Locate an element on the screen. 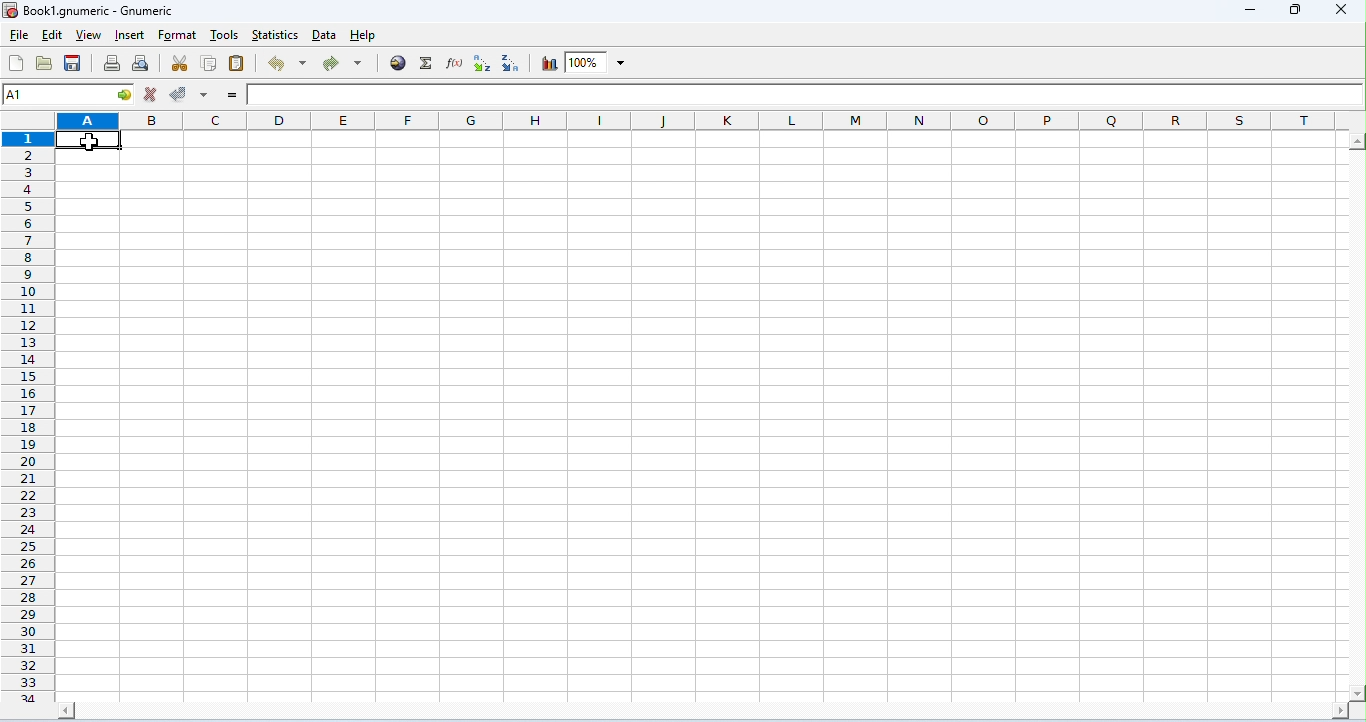 Image resolution: width=1366 pixels, height=722 pixels. reject is located at coordinates (150, 94).